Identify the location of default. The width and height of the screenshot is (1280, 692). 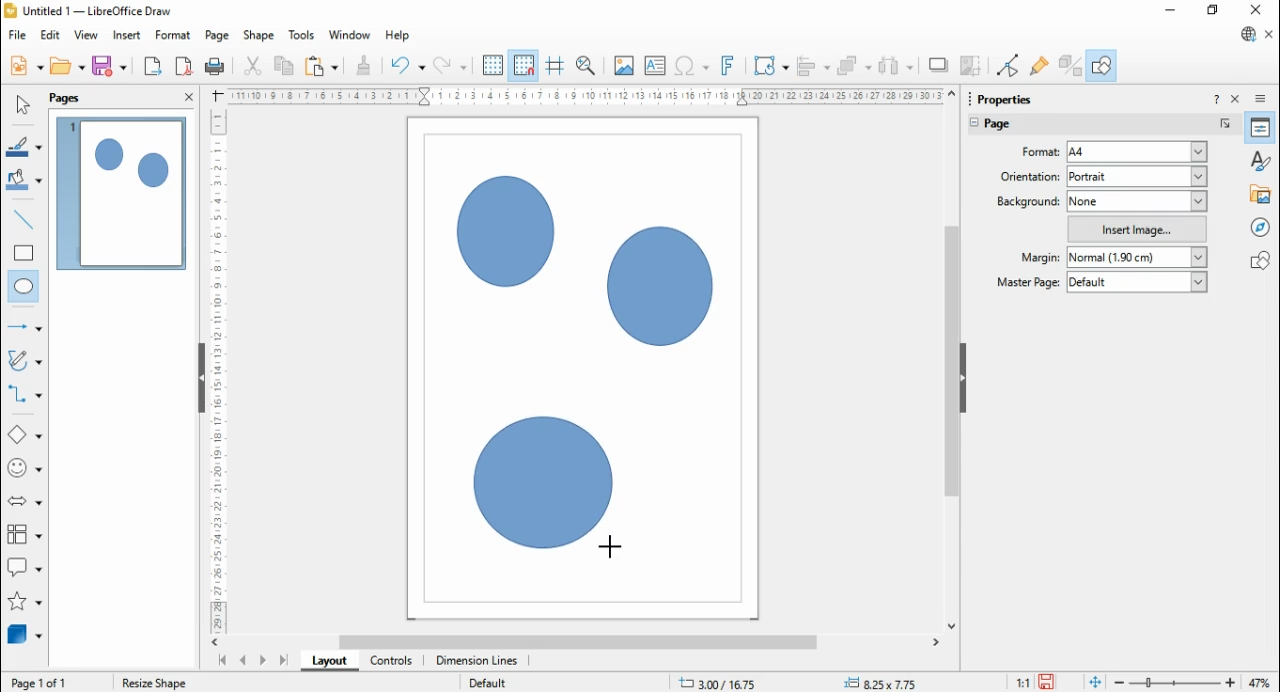
(1137, 281).